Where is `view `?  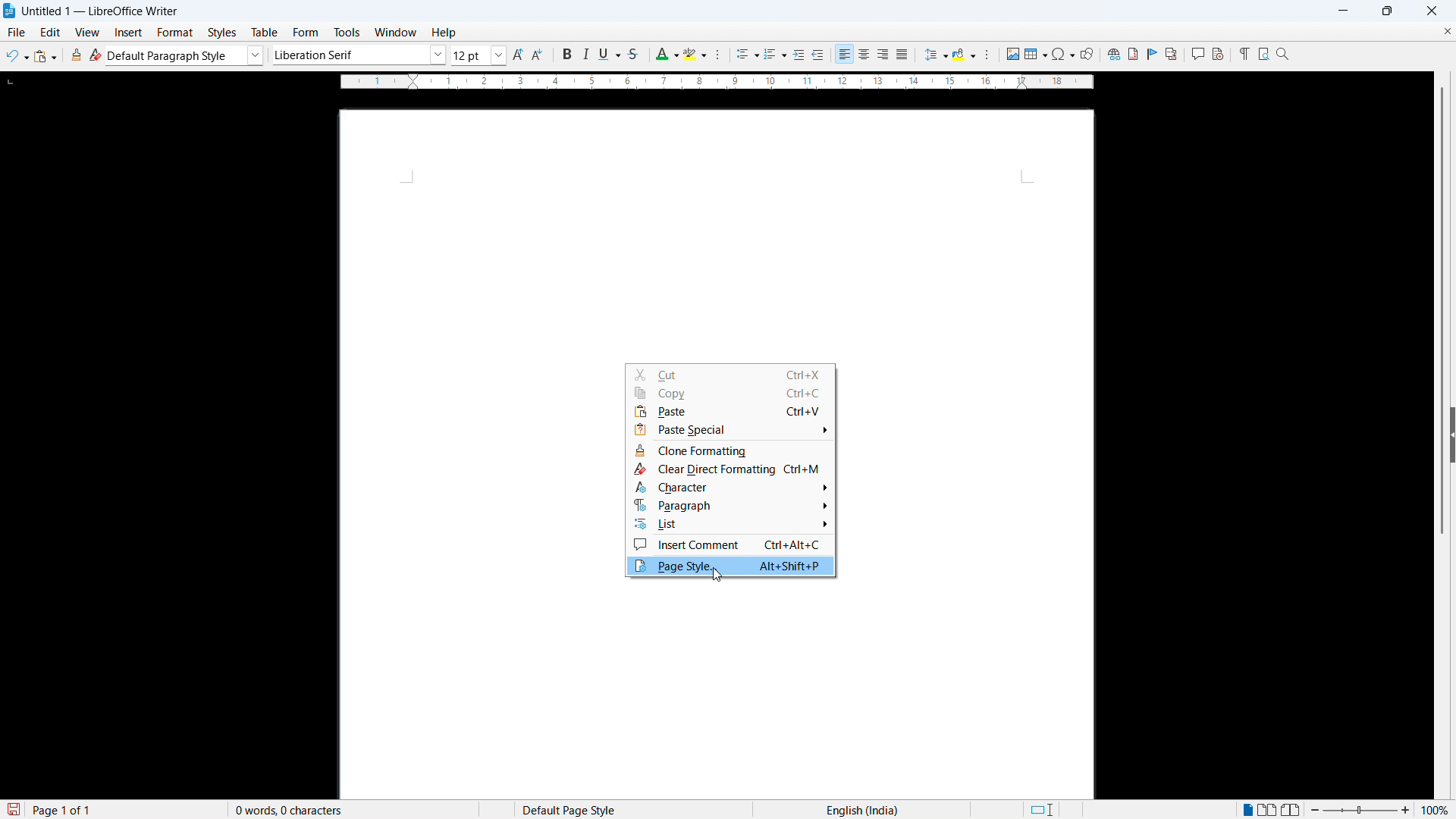 view  is located at coordinates (88, 33).